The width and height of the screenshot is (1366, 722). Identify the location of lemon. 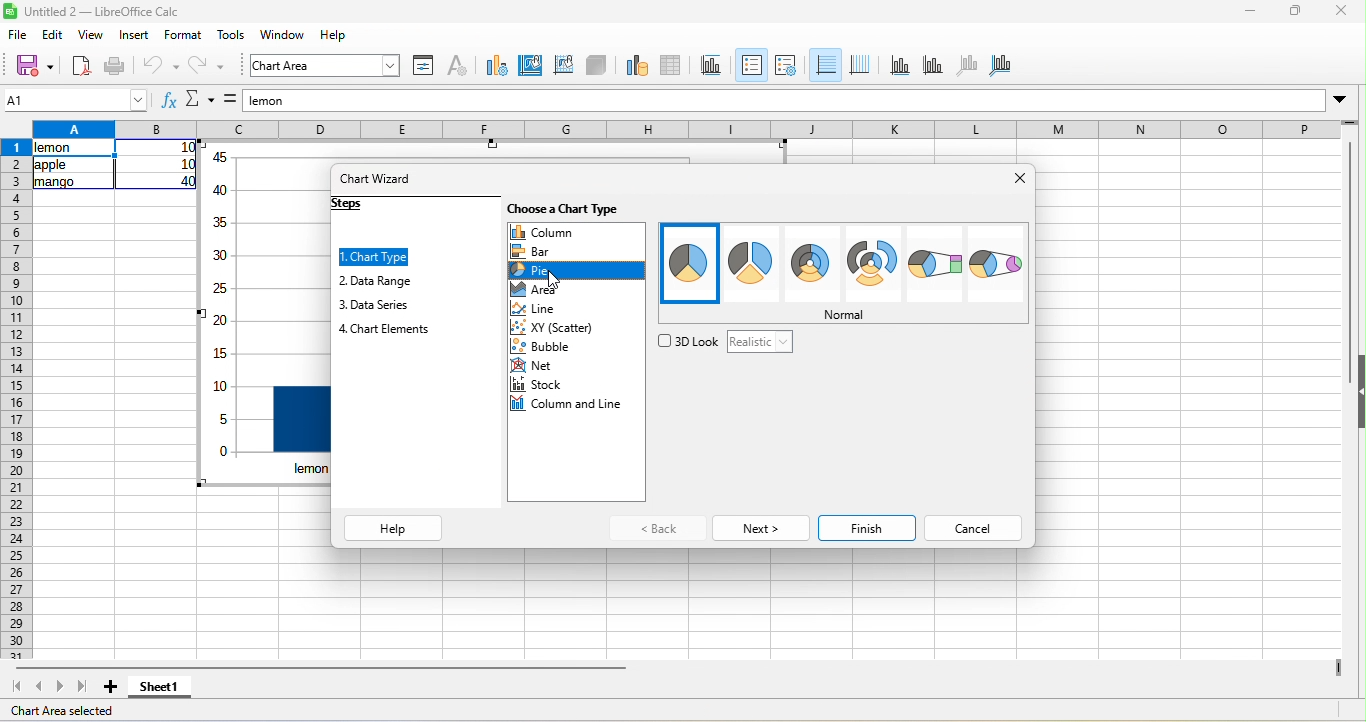
(783, 101).